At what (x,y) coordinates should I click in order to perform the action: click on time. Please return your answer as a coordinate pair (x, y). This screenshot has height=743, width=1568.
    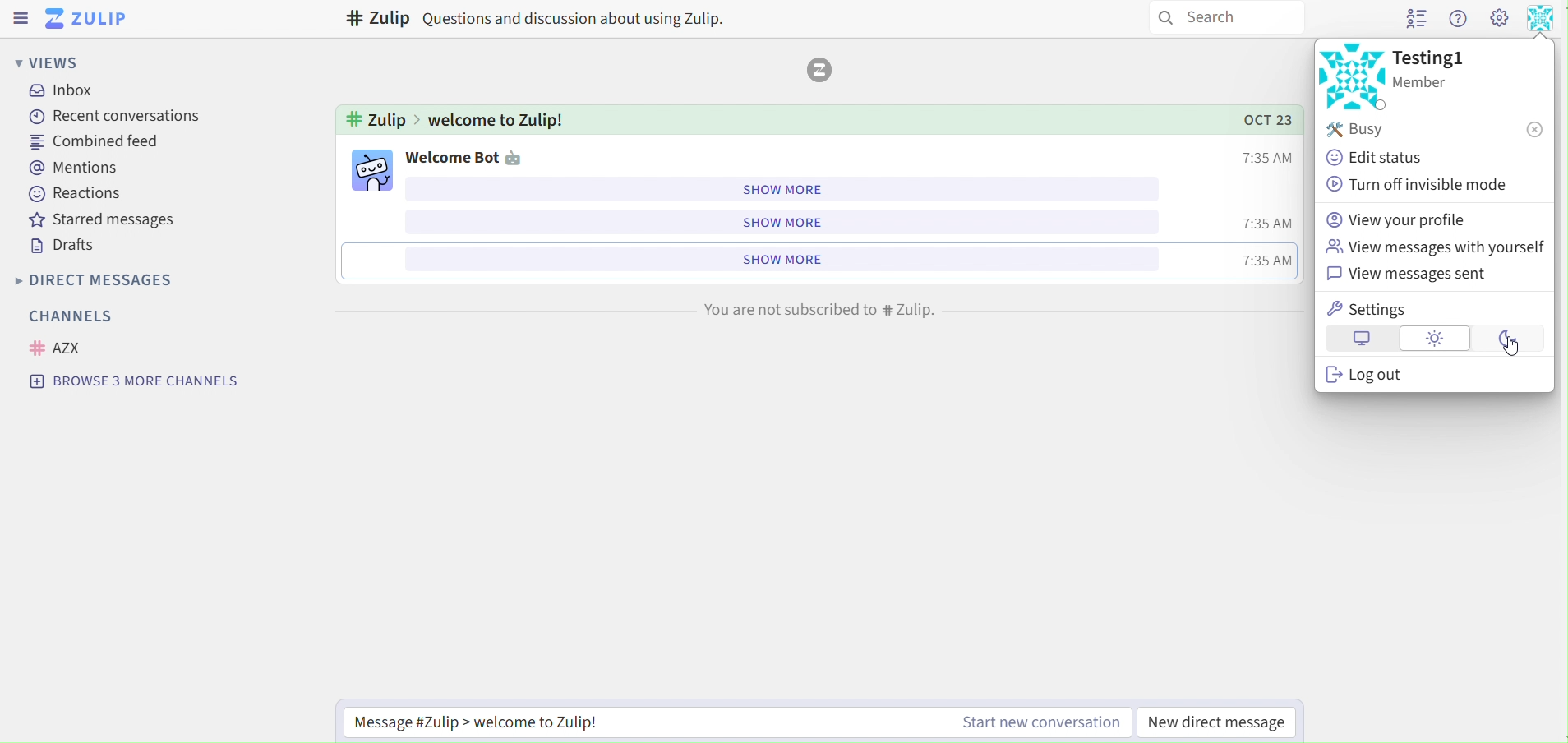
    Looking at the image, I should click on (1263, 158).